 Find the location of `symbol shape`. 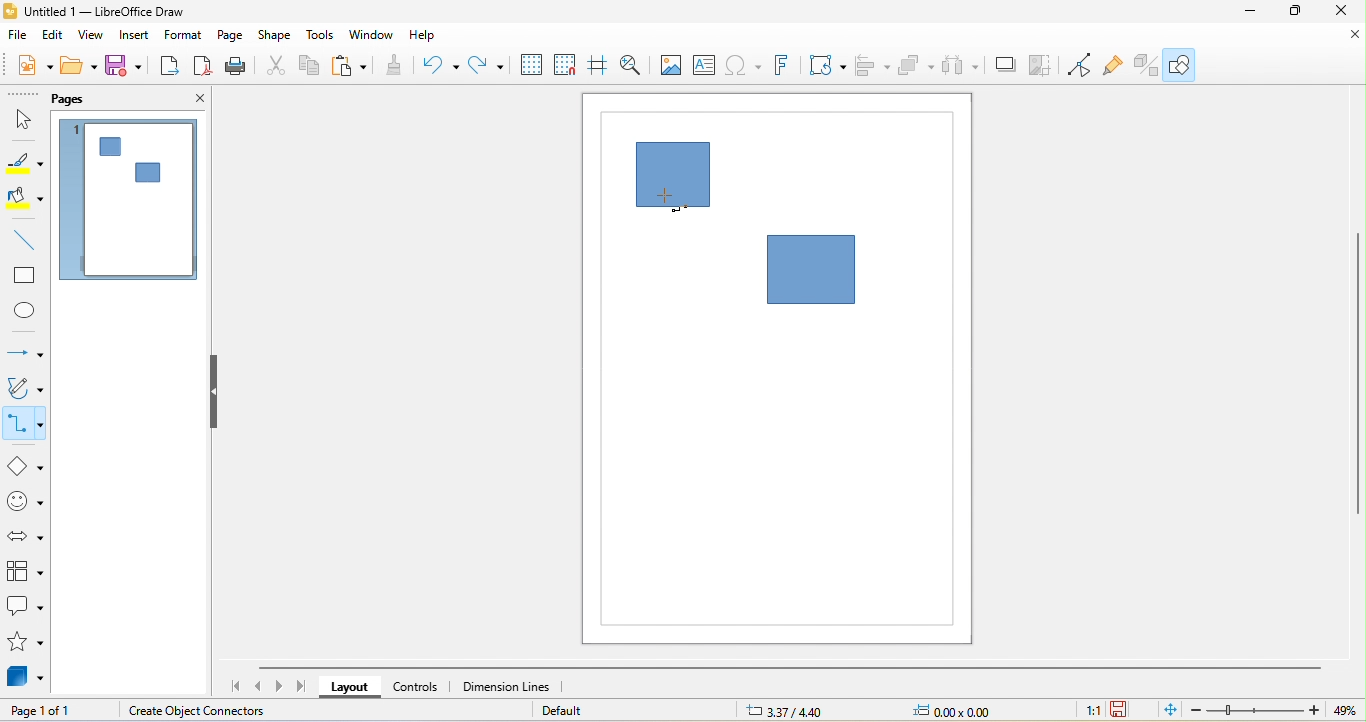

symbol shape is located at coordinates (28, 502).